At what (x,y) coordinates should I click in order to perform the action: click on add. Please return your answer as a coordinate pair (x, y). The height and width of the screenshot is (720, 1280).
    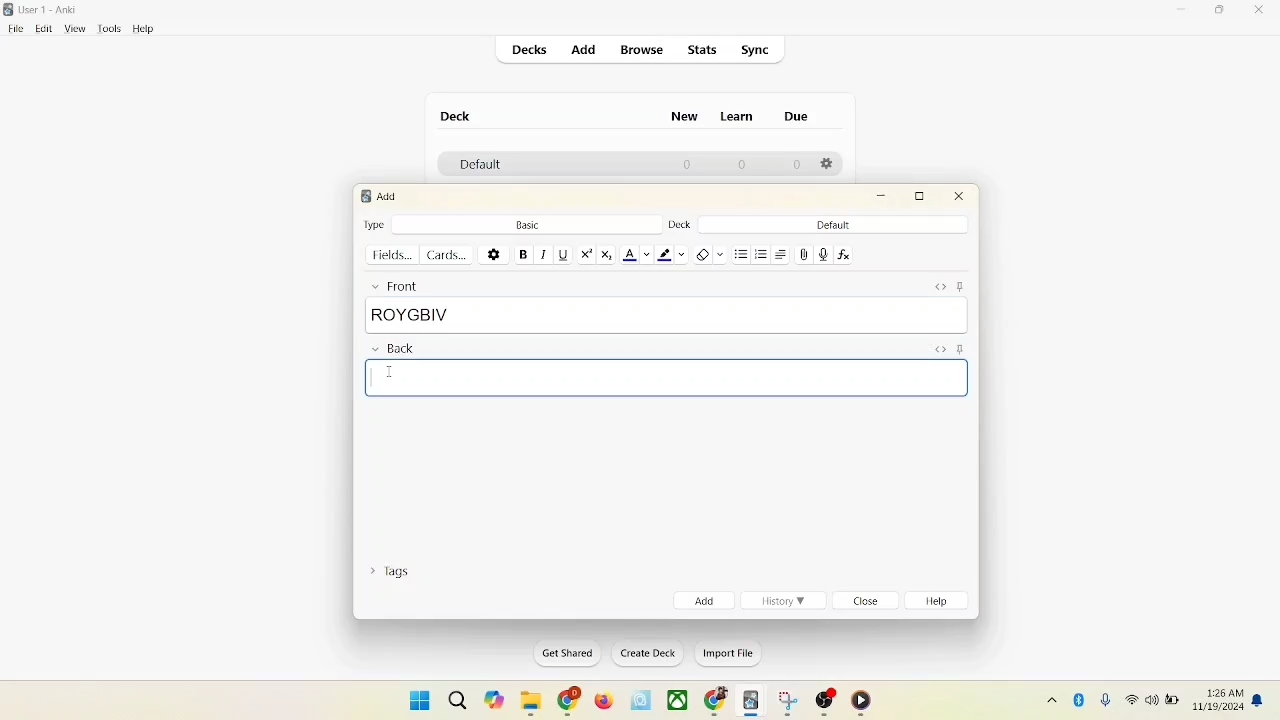
    Looking at the image, I should click on (389, 196).